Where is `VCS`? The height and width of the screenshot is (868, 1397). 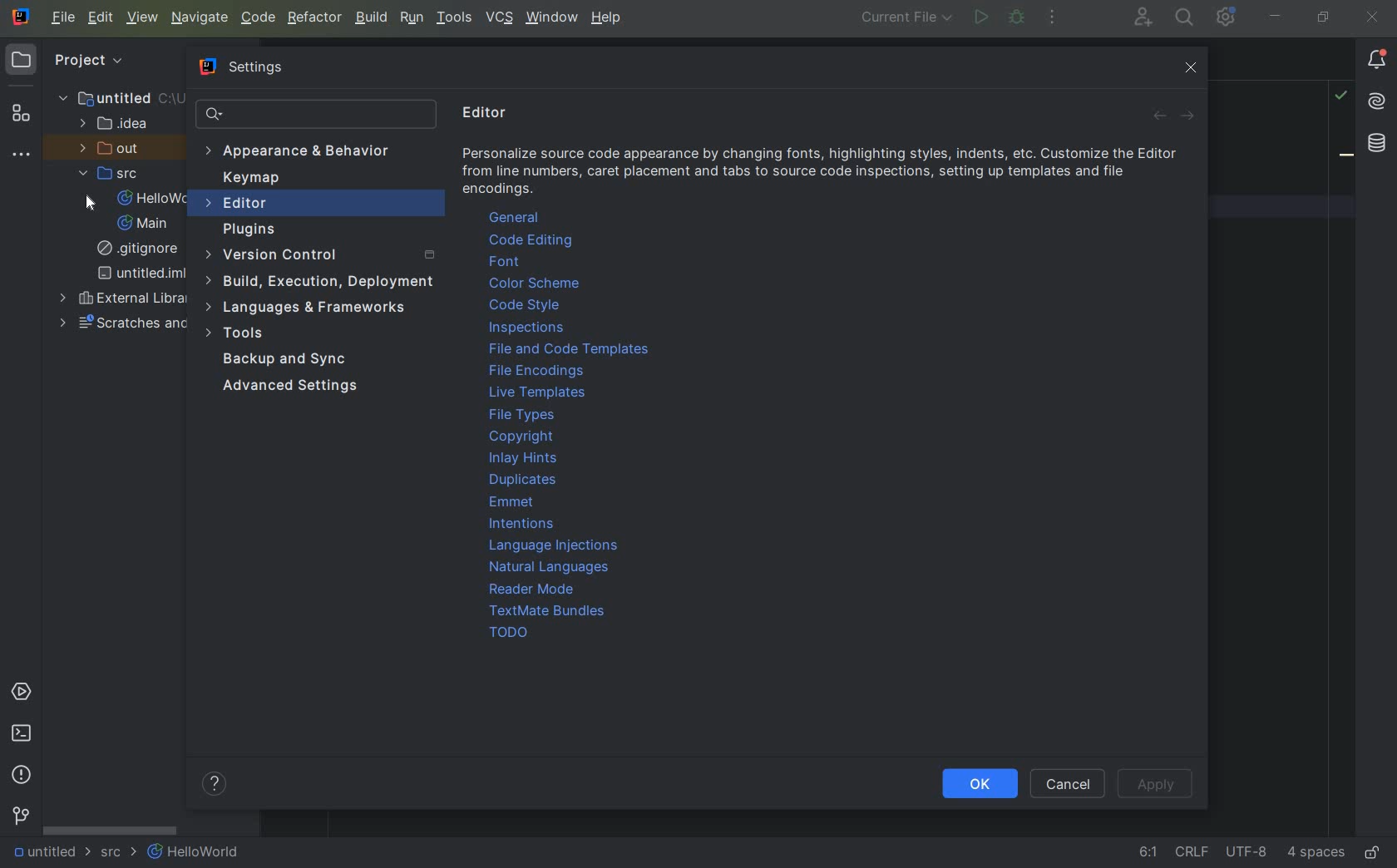 VCS is located at coordinates (498, 17).